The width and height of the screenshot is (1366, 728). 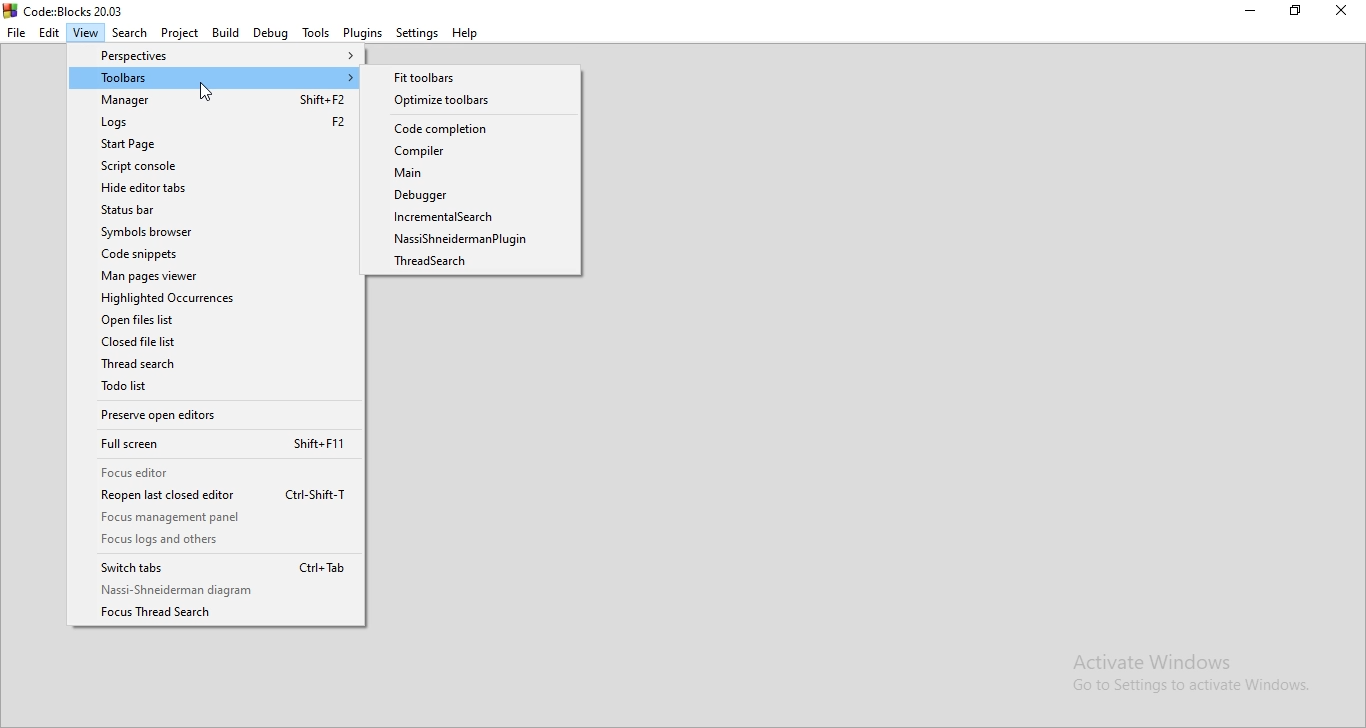 I want to click on cursor on Toolbars, so click(x=205, y=92).